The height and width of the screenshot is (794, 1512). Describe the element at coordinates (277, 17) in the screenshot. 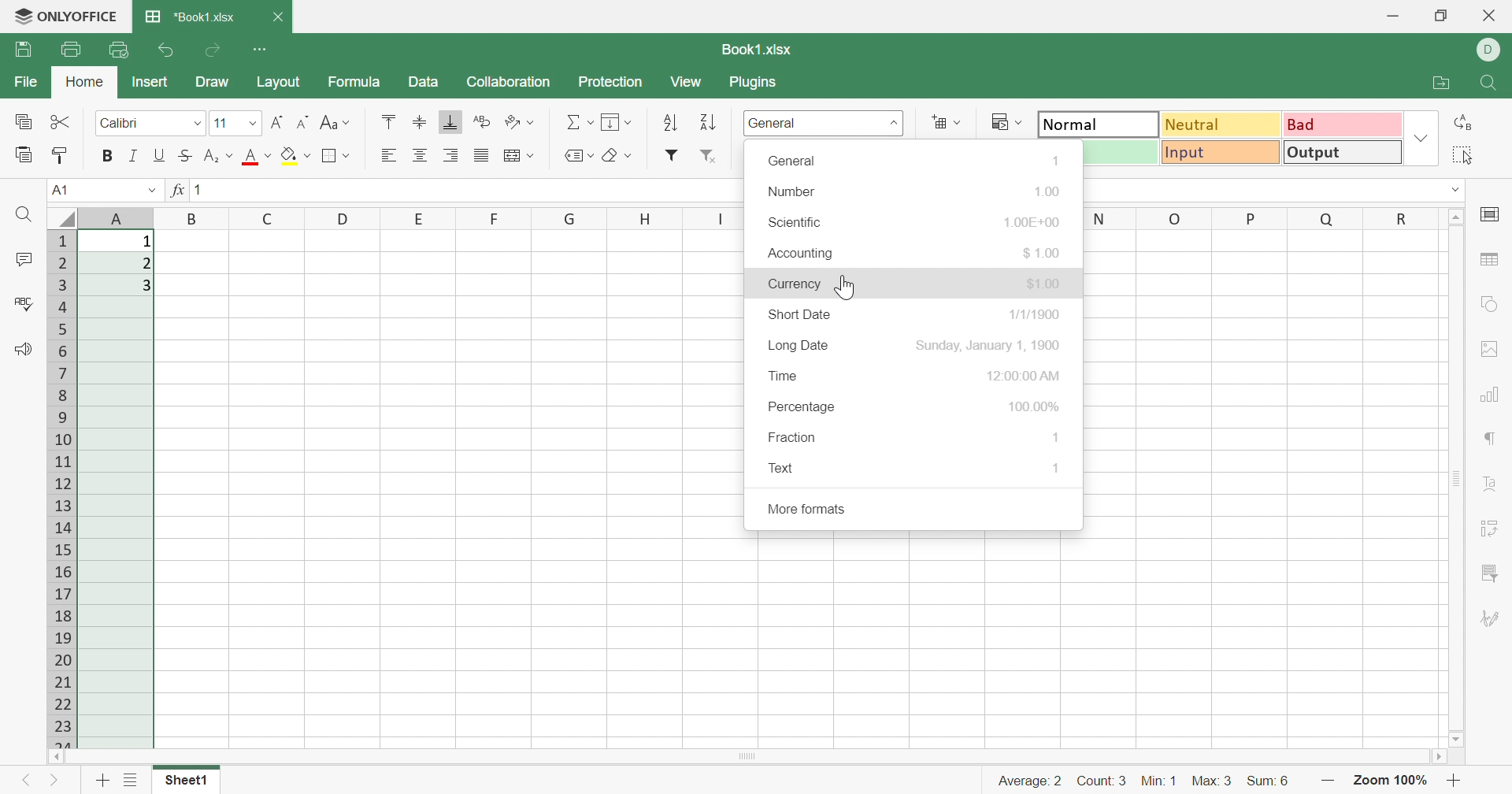

I see `Close` at that location.